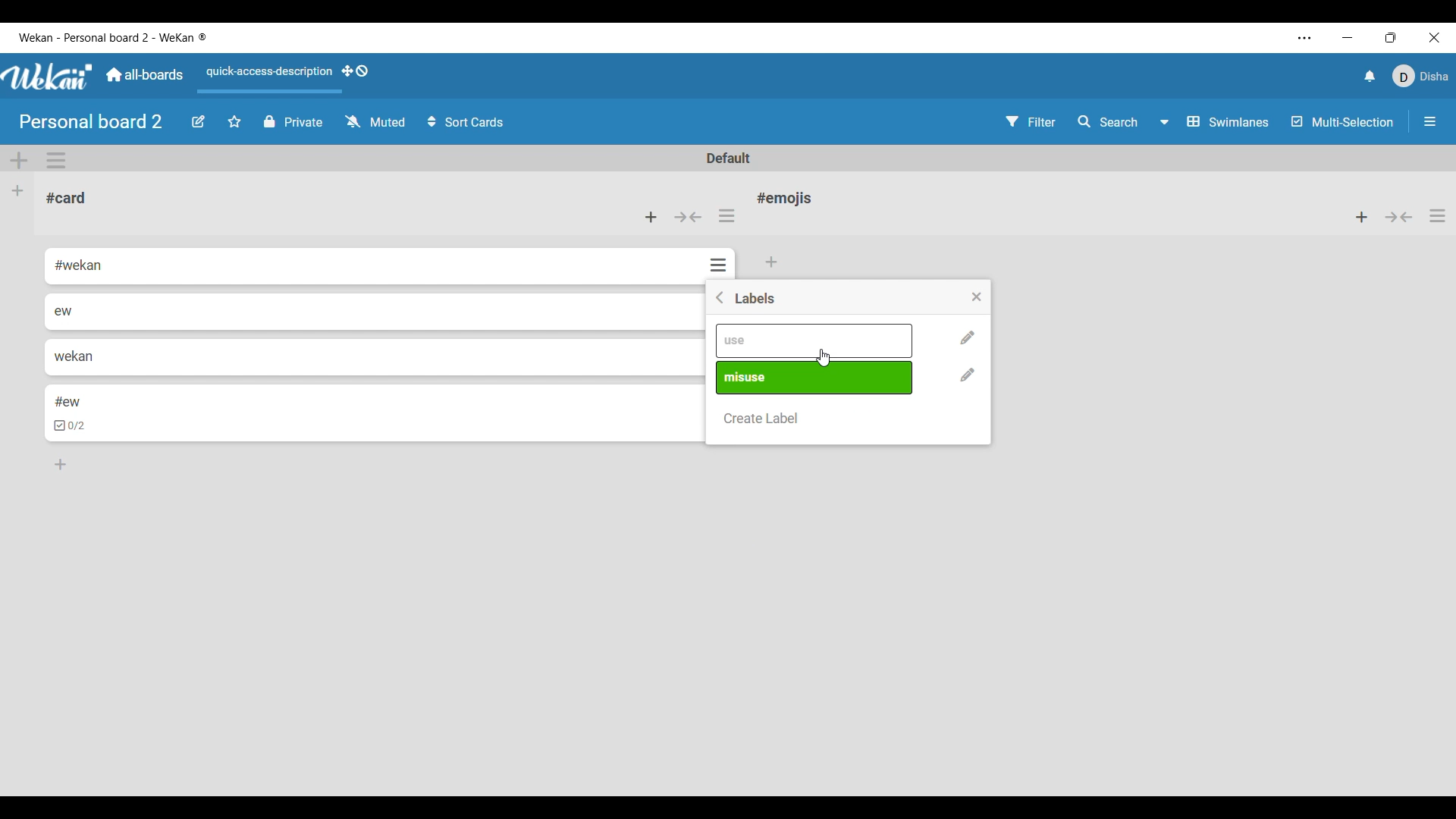  Describe the element at coordinates (267, 72) in the screenshot. I see `Quick access description` at that location.